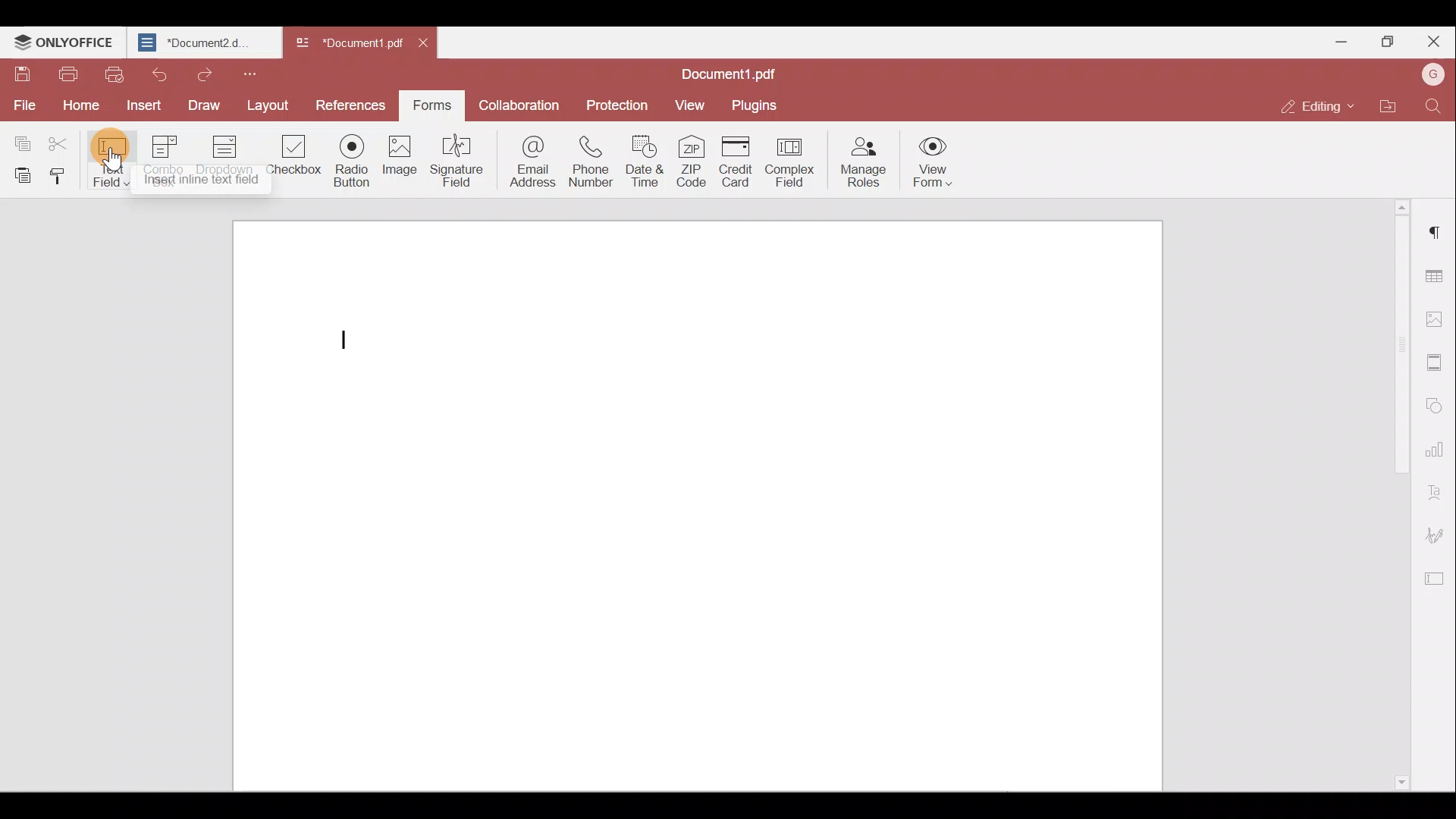  I want to click on Home, so click(85, 104).